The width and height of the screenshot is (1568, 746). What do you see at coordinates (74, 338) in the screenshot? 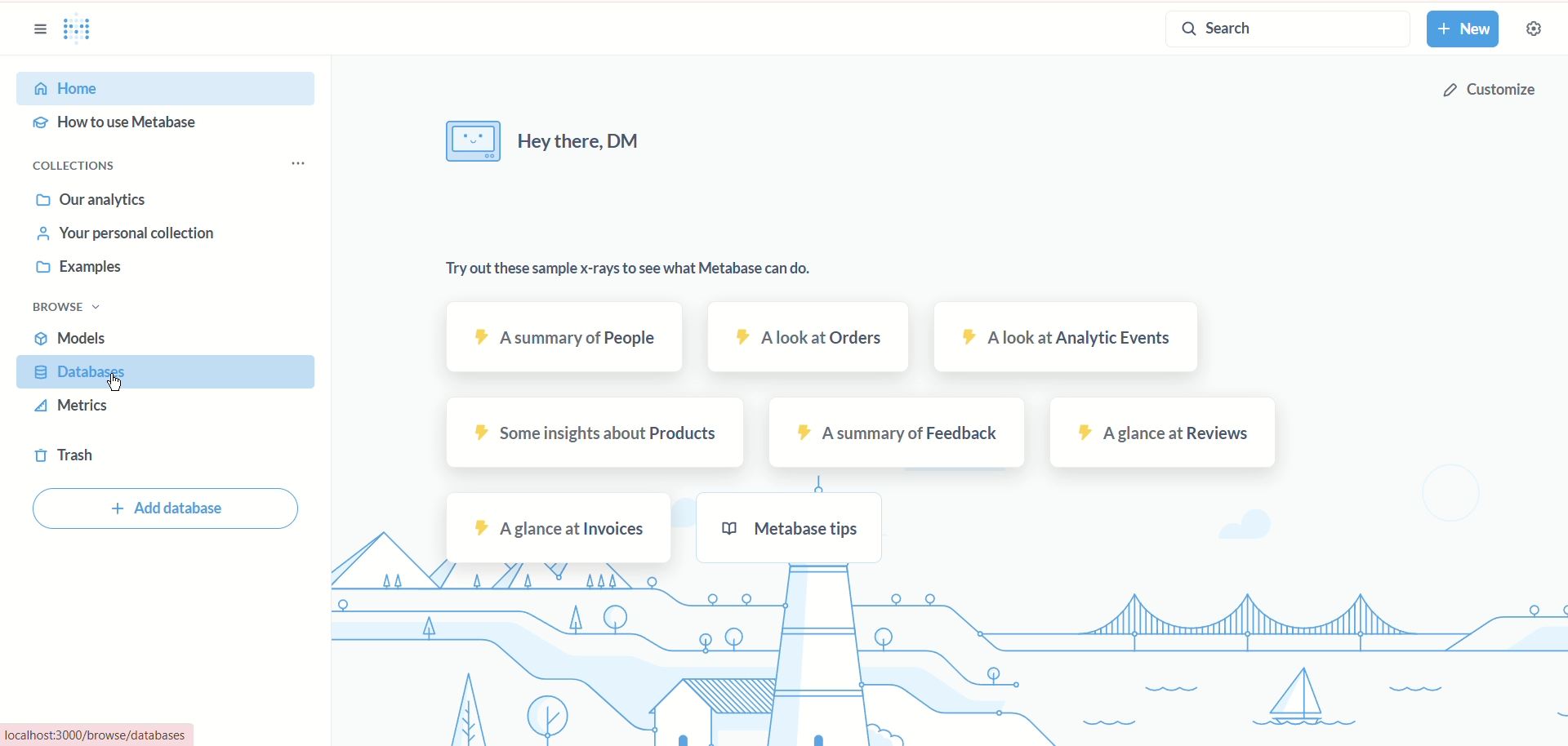
I see `models` at bounding box center [74, 338].